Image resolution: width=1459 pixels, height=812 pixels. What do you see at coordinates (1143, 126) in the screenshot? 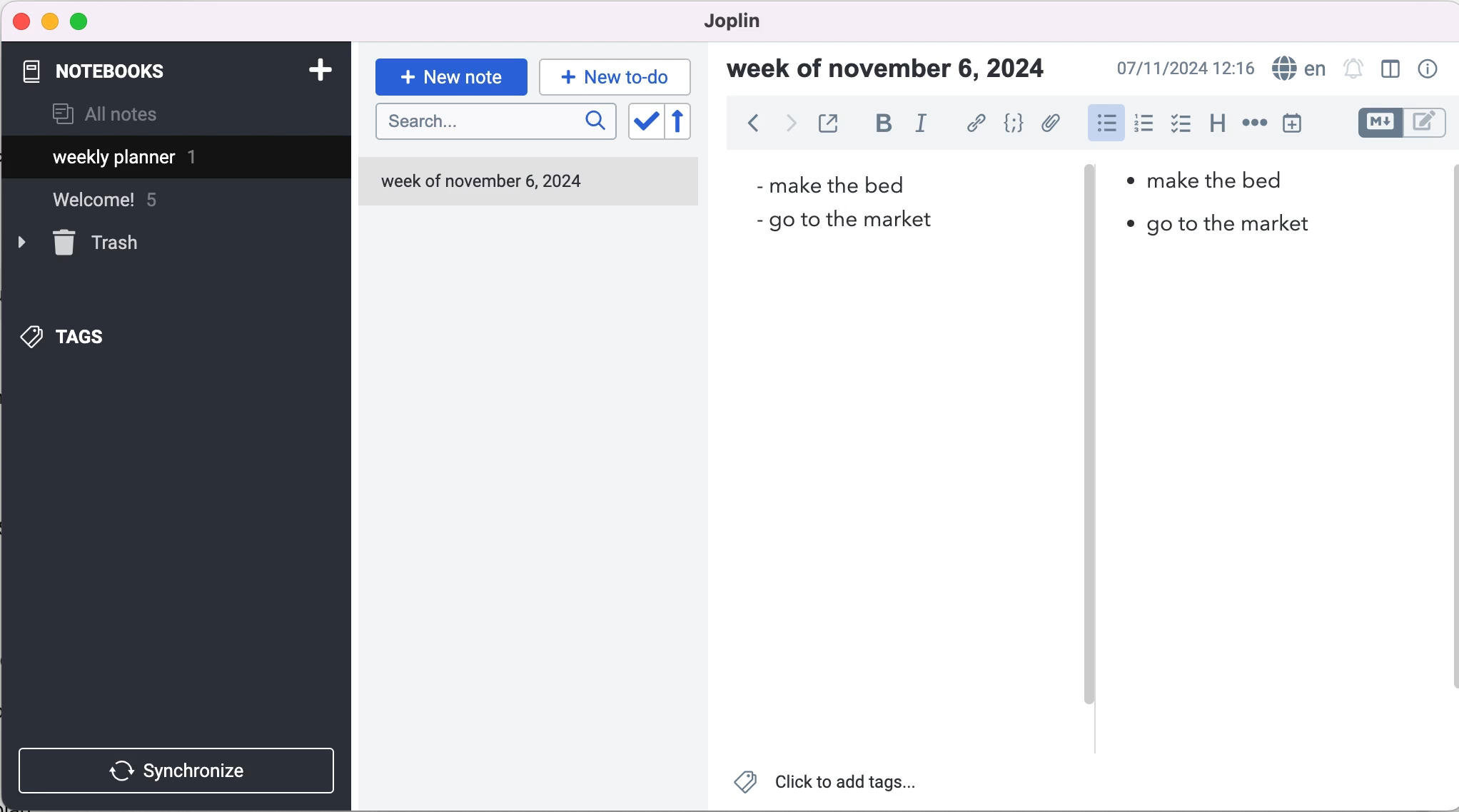
I see `numbered list` at bounding box center [1143, 126].